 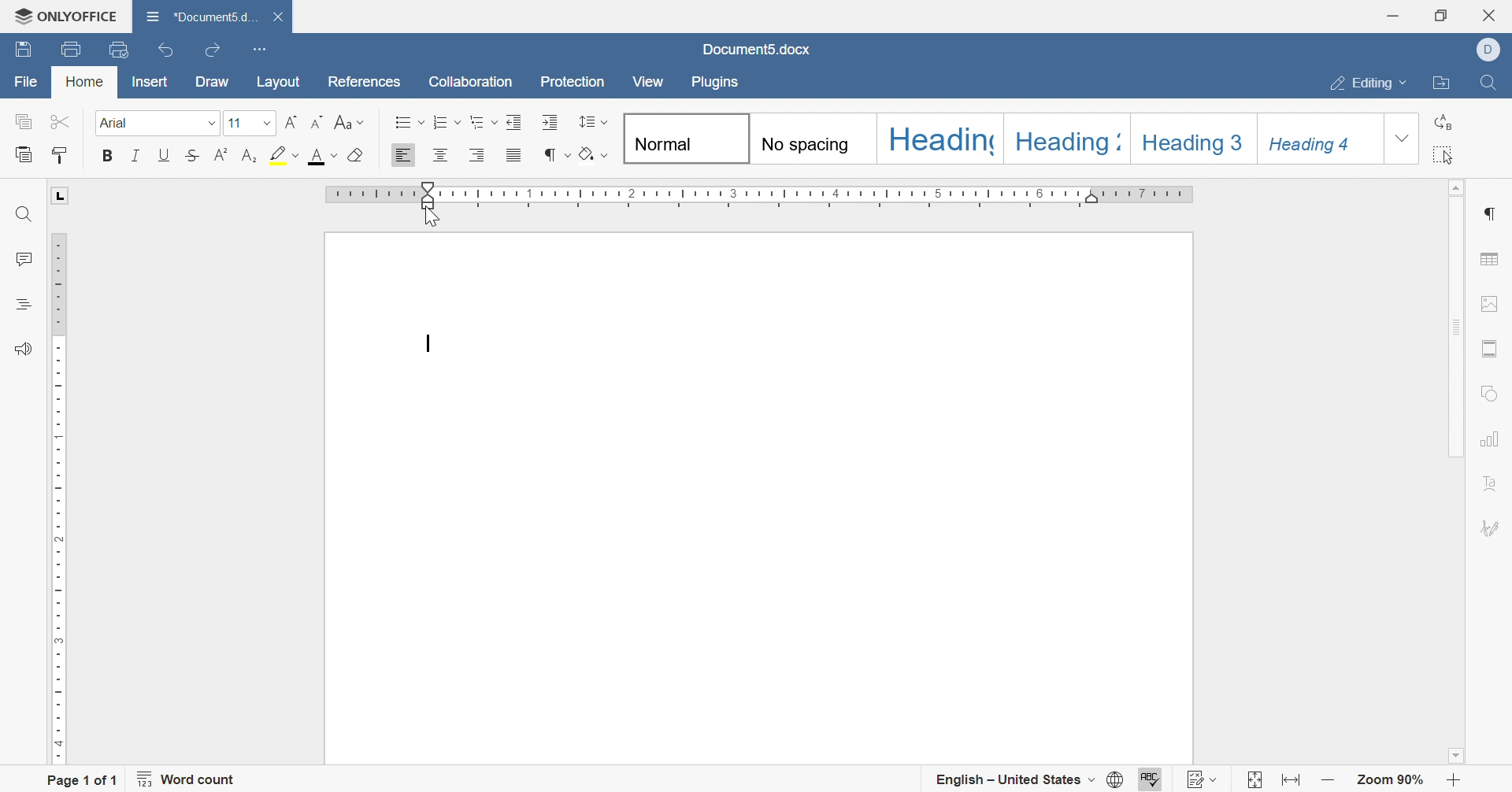 I want to click on close, so click(x=1492, y=15).